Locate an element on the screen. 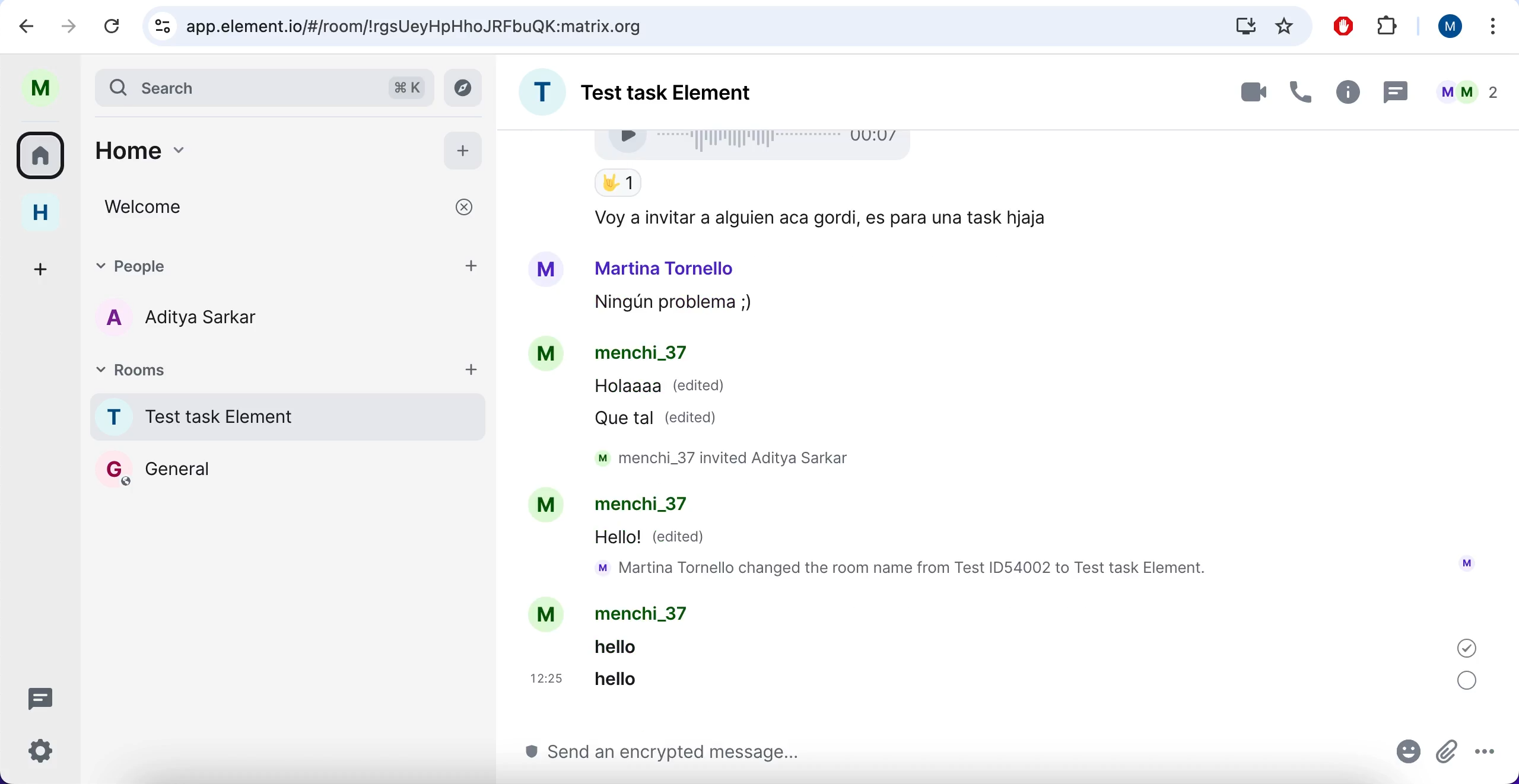 The image size is (1519, 784). room name is located at coordinates (284, 416).